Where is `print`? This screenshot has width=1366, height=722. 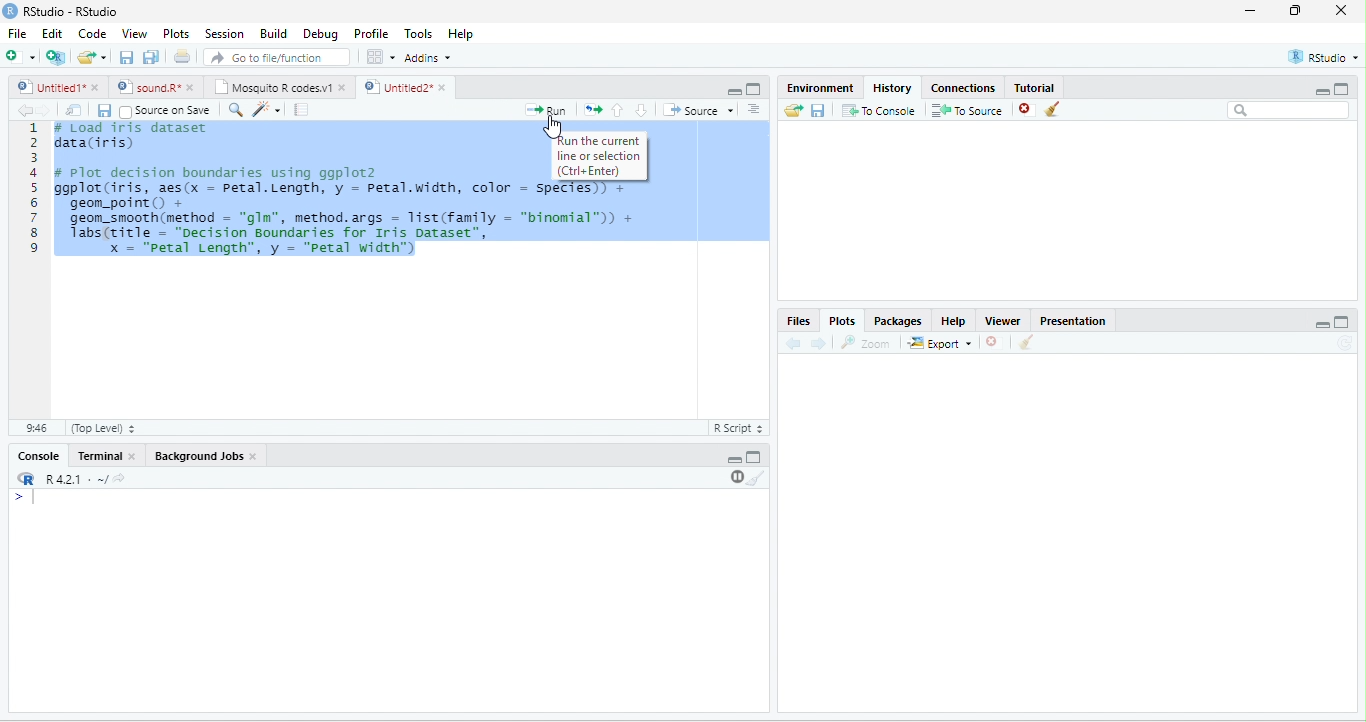 print is located at coordinates (181, 56).